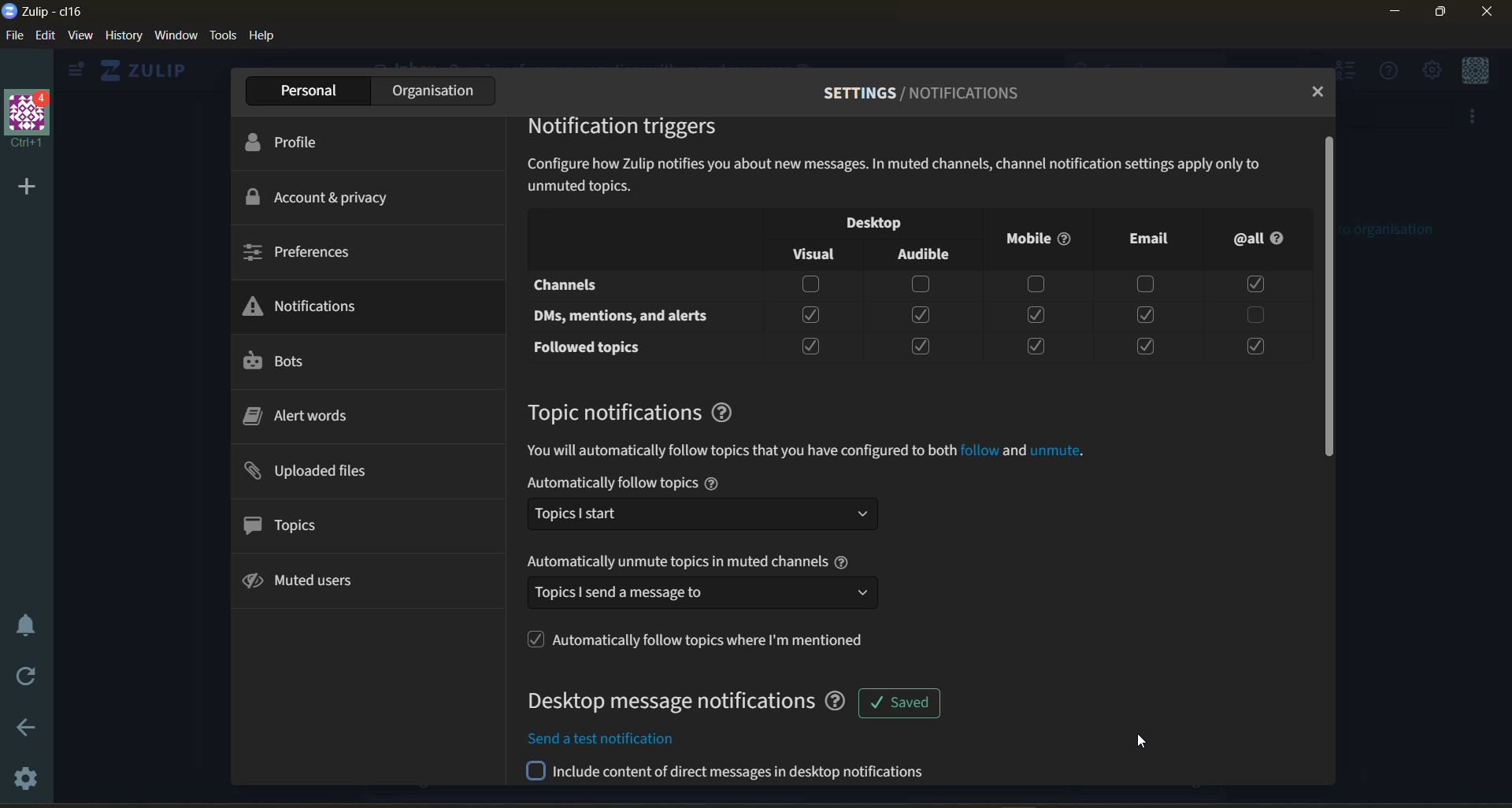 This screenshot has width=1512, height=808. I want to click on bots, so click(289, 361).